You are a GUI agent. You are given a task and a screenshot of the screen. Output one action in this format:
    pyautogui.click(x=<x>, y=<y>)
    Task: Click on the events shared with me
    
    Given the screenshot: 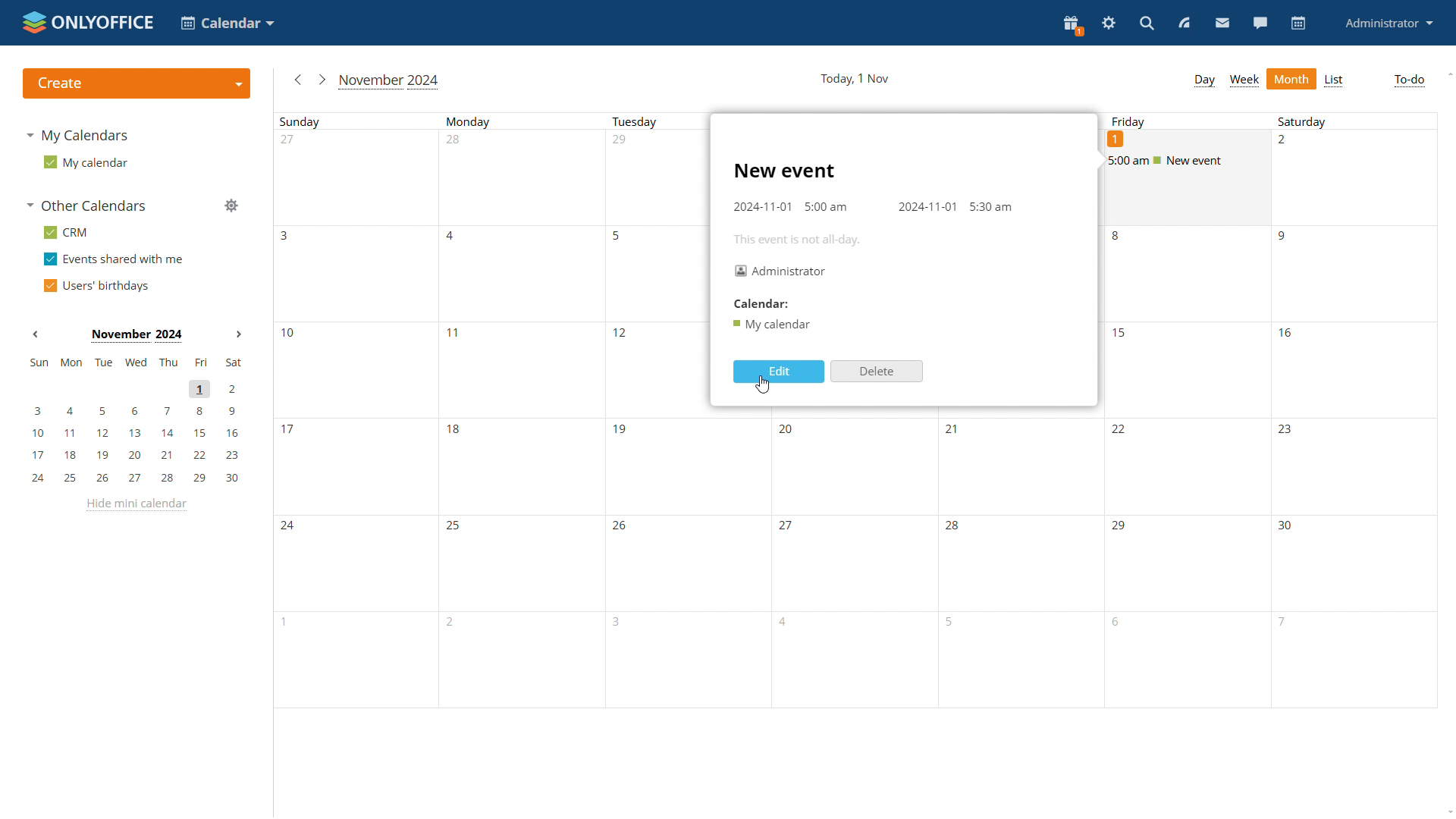 What is the action you would take?
    pyautogui.click(x=114, y=260)
    